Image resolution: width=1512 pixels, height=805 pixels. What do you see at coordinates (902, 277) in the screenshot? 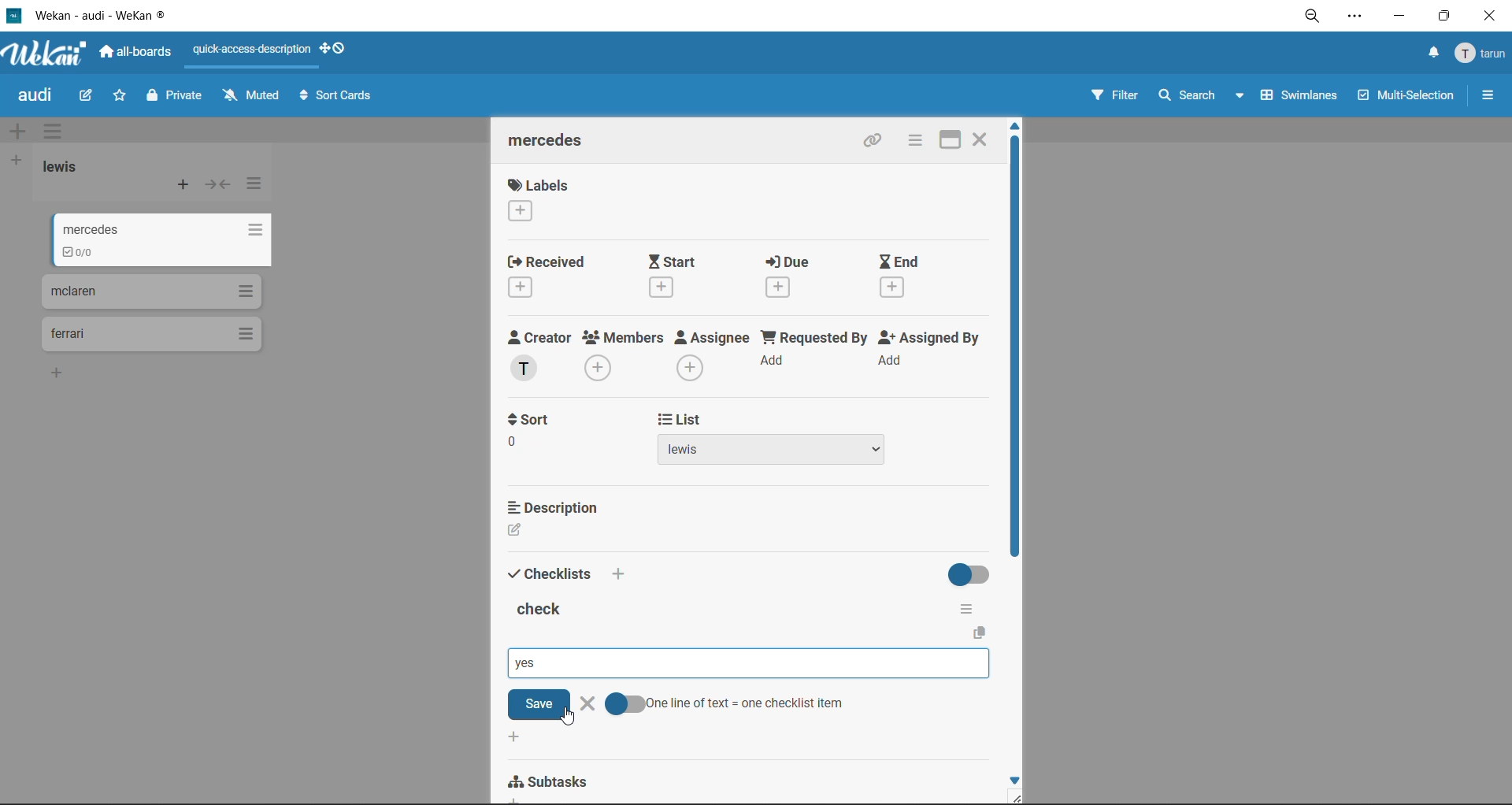
I see `end` at bounding box center [902, 277].